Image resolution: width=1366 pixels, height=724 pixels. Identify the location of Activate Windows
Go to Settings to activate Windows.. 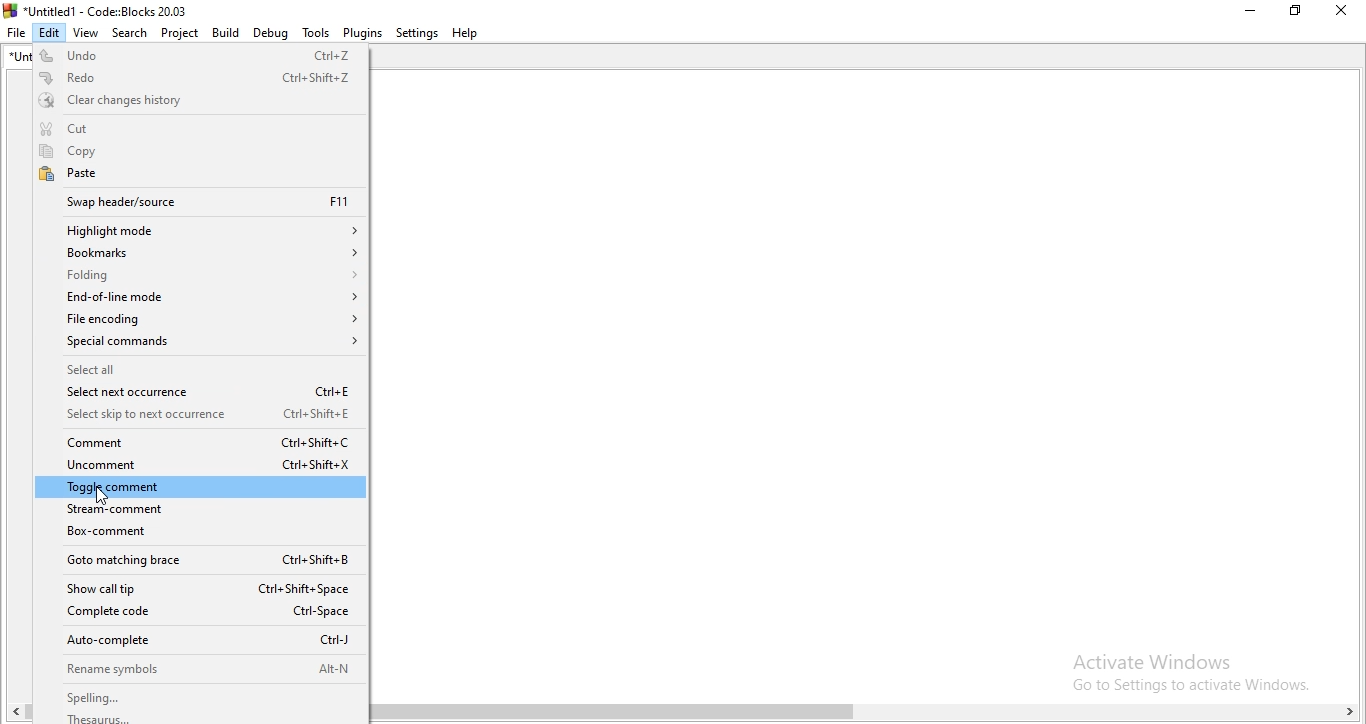
(1192, 672).